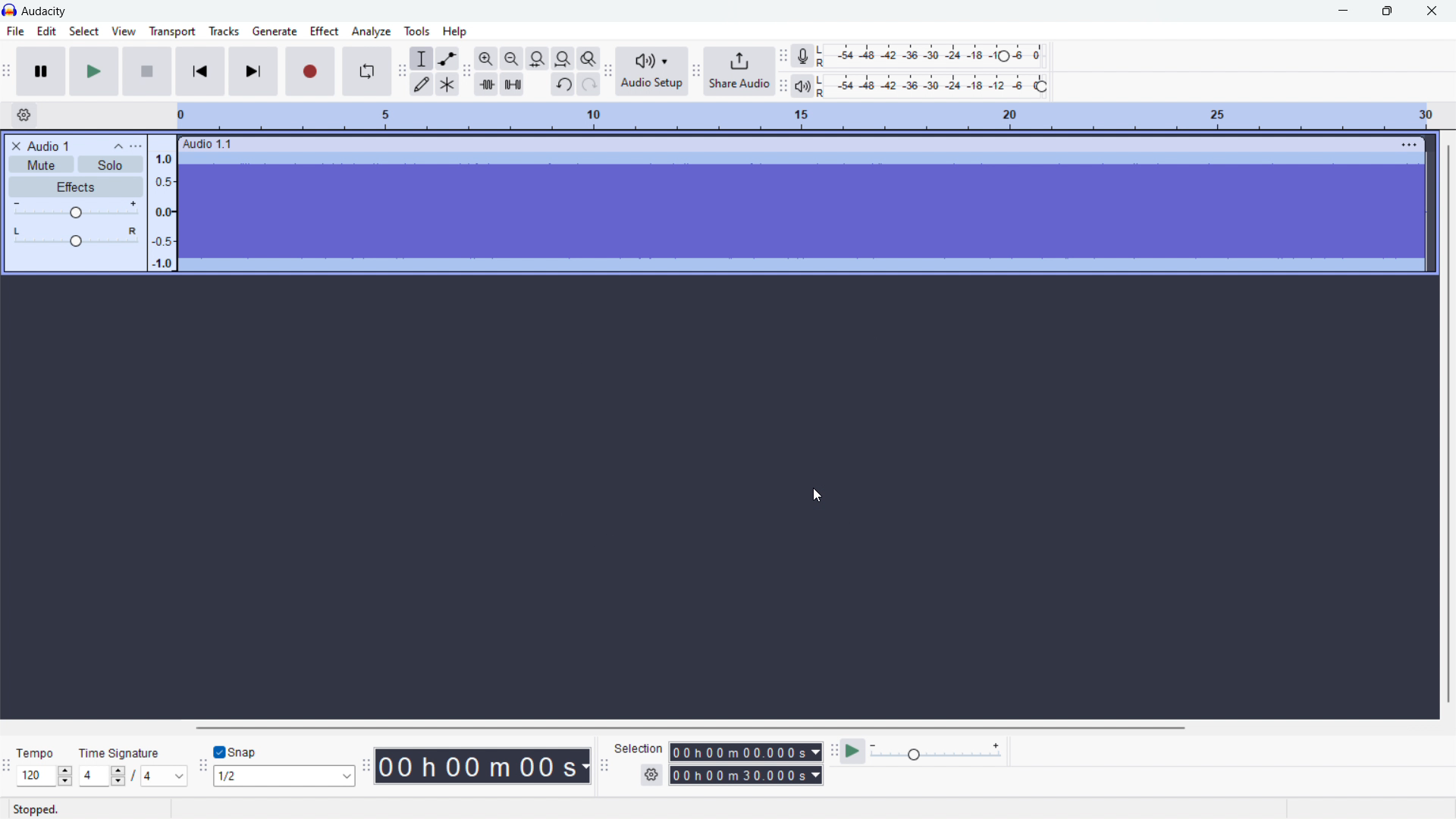 This screenshot has width=1456, height=819. I want to click on start time, so click(745, 752).